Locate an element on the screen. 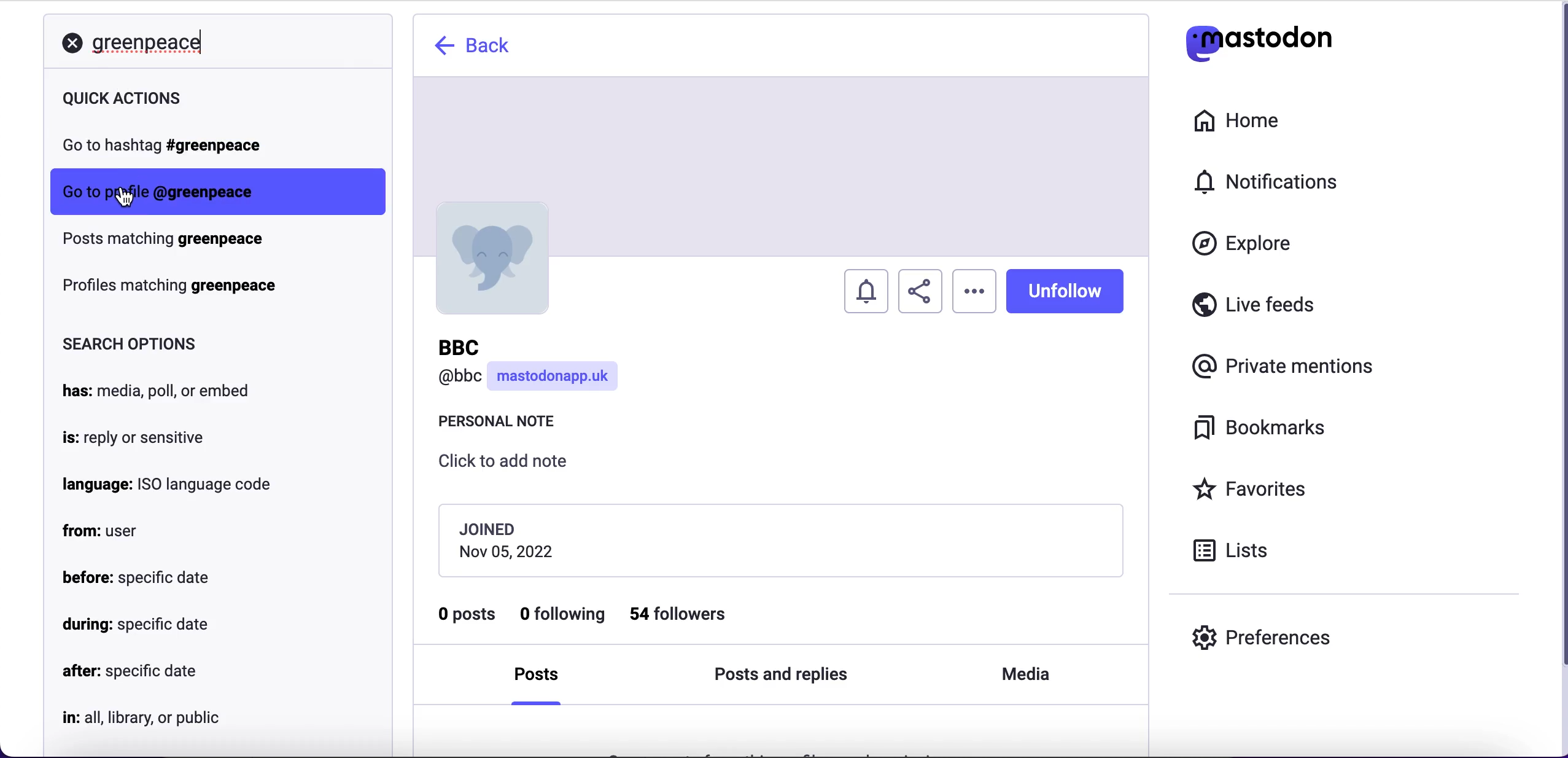  cursor is located at coordinates (122, 197).